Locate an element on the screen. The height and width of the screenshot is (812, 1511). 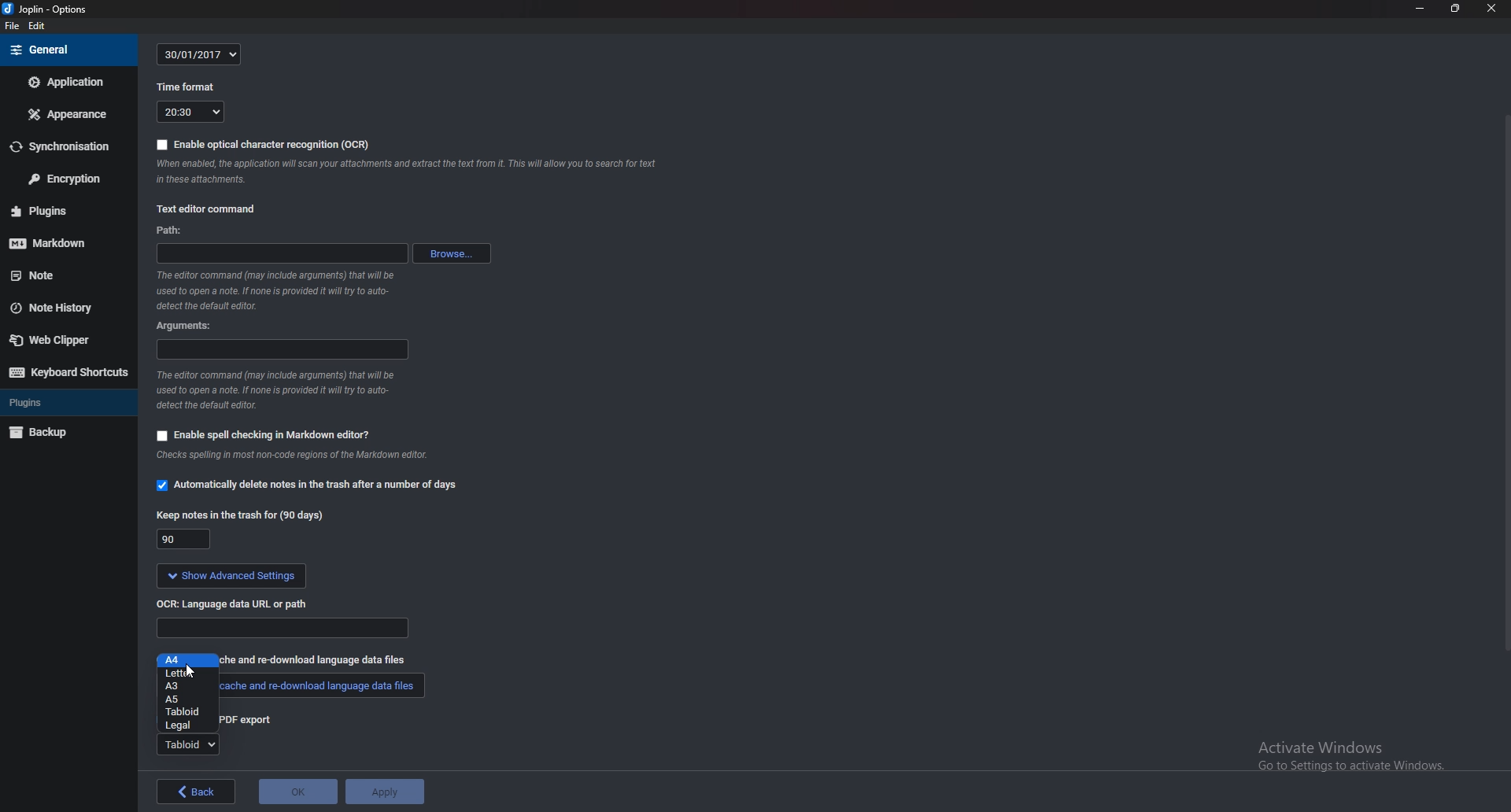
Plugins is located at coordinates (48, 212).